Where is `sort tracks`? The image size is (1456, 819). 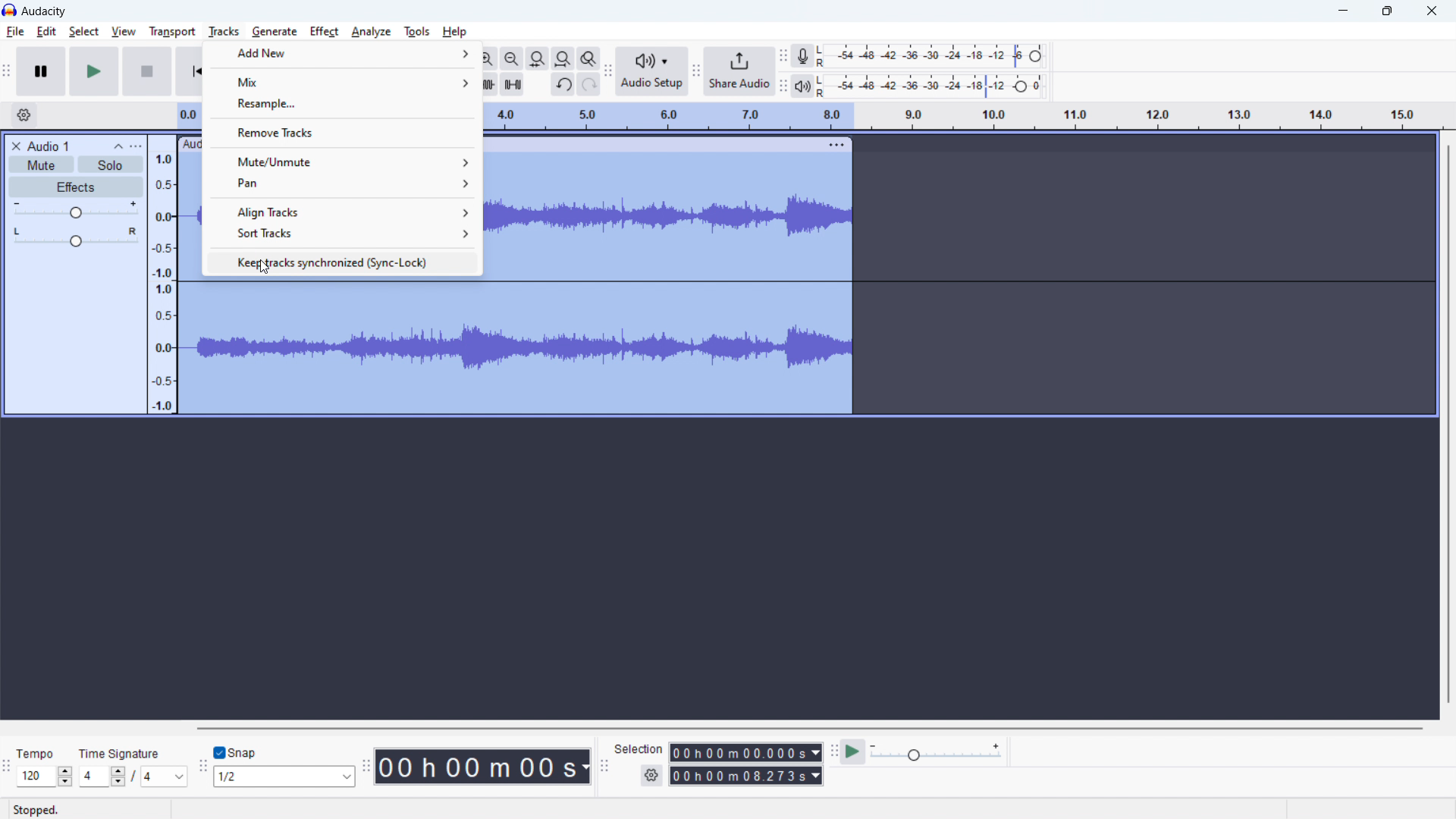
sort tracks is located at coordinates (344, 233).